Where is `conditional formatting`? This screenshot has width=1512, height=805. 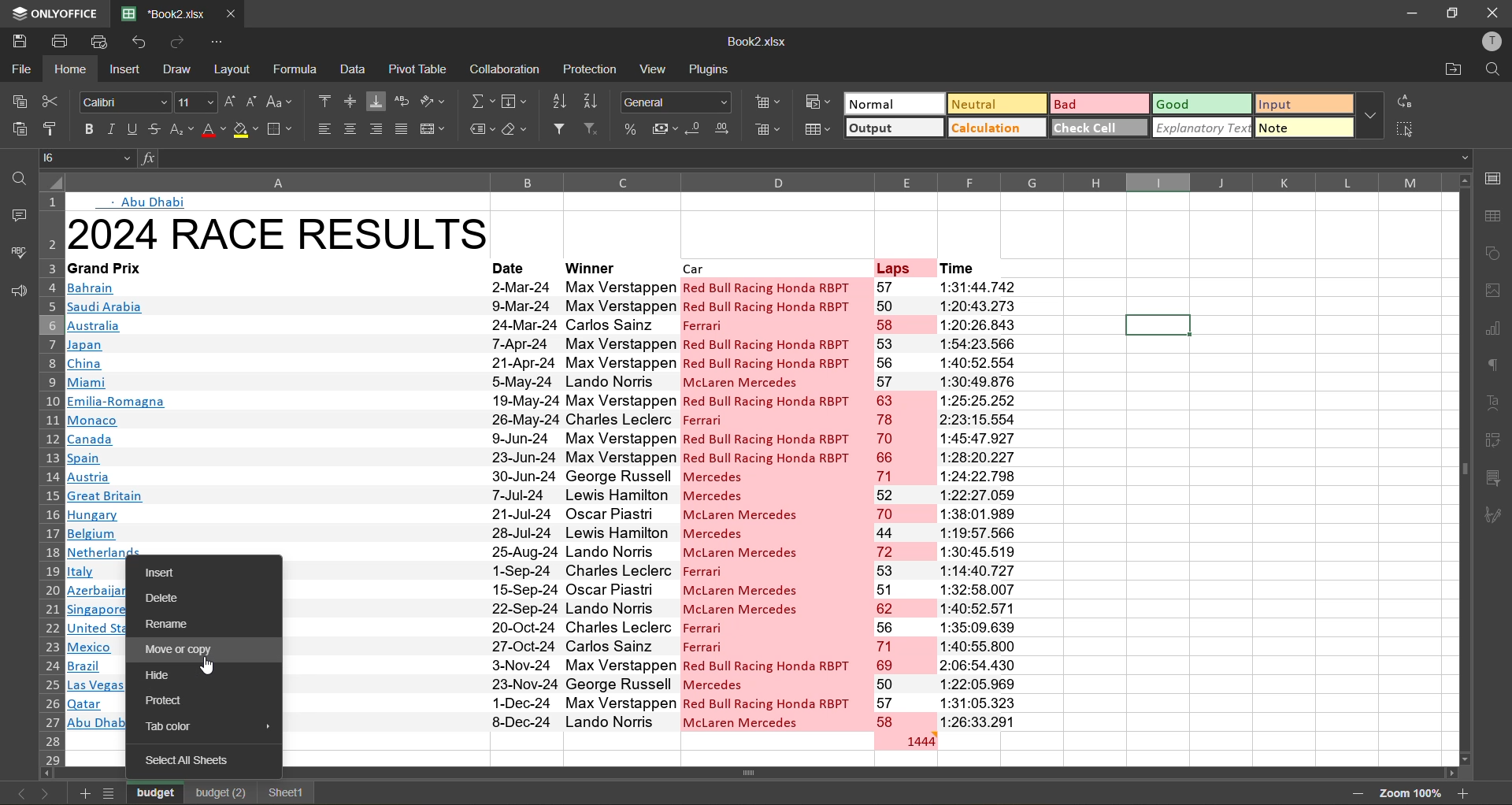
conditional formatting is located at coordinates (817, 101).